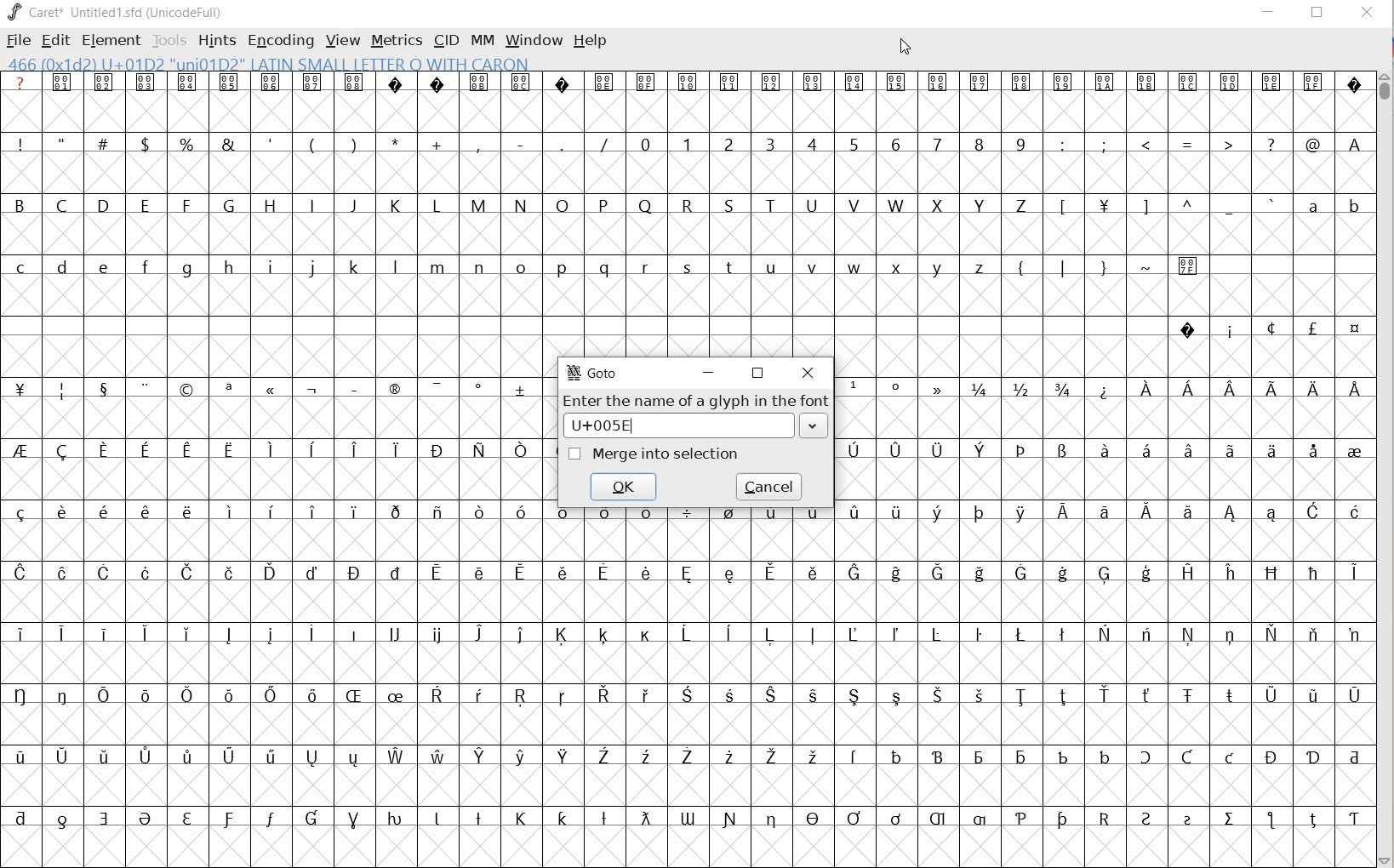 The image size is (1394, 868). Describe the element at coordinates (445, 40) in the screenshot. I see `CID` at that location.